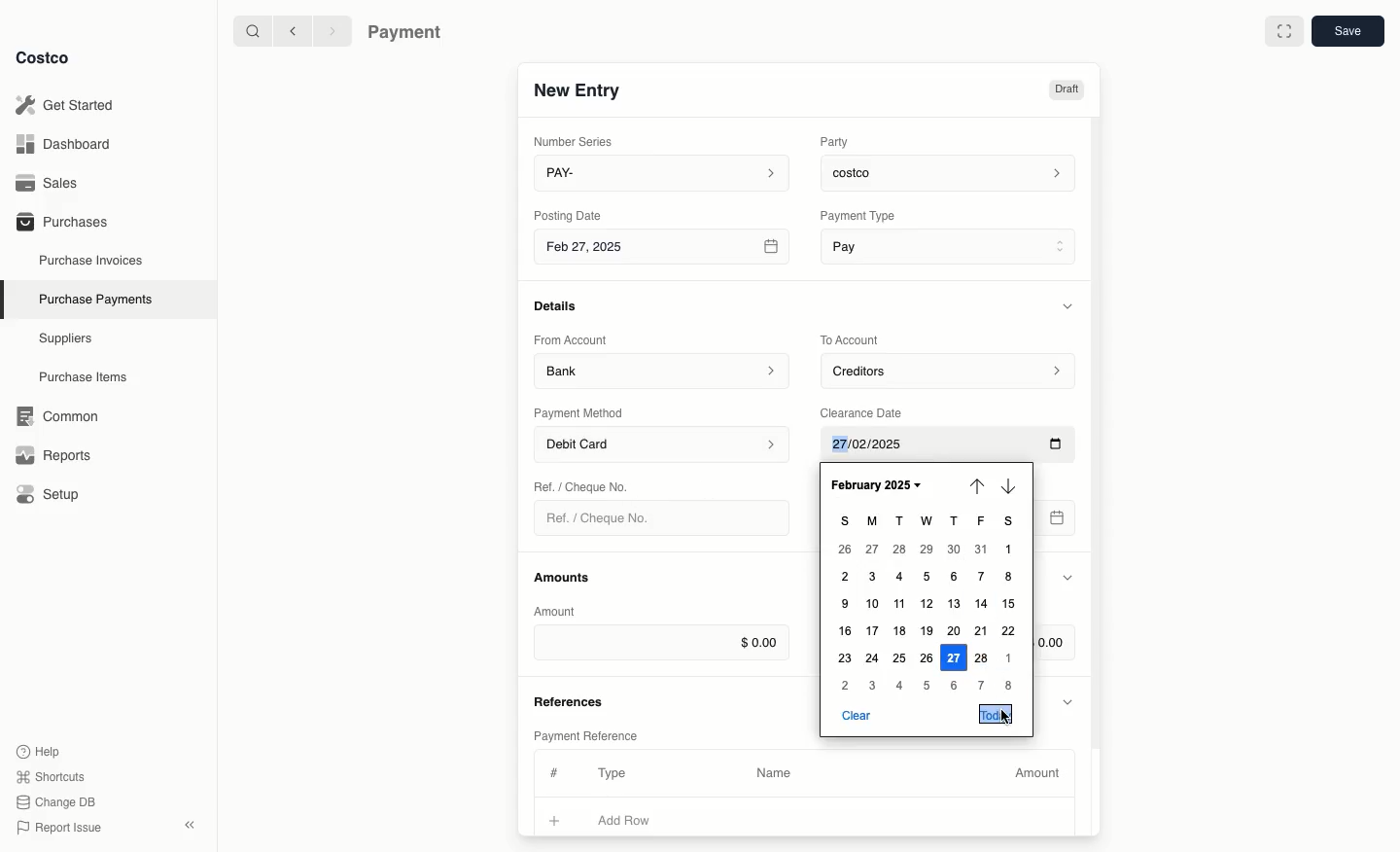  What do you see at coordinates (66, 337) in the screenshot?
I see `Suppliers` at bounding box center [66, 337].